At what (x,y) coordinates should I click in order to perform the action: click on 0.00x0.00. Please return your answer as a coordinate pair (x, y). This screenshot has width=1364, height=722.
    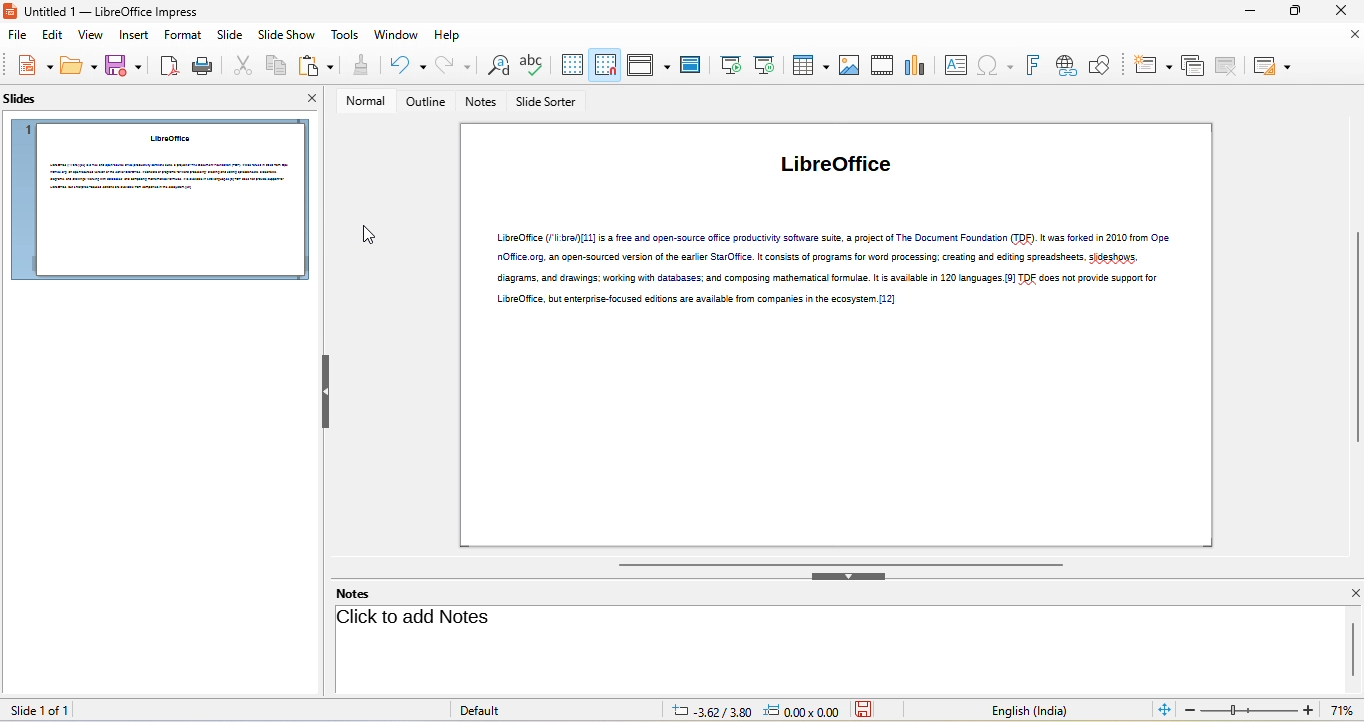
    Looking at the image, I should click on (801, 711).